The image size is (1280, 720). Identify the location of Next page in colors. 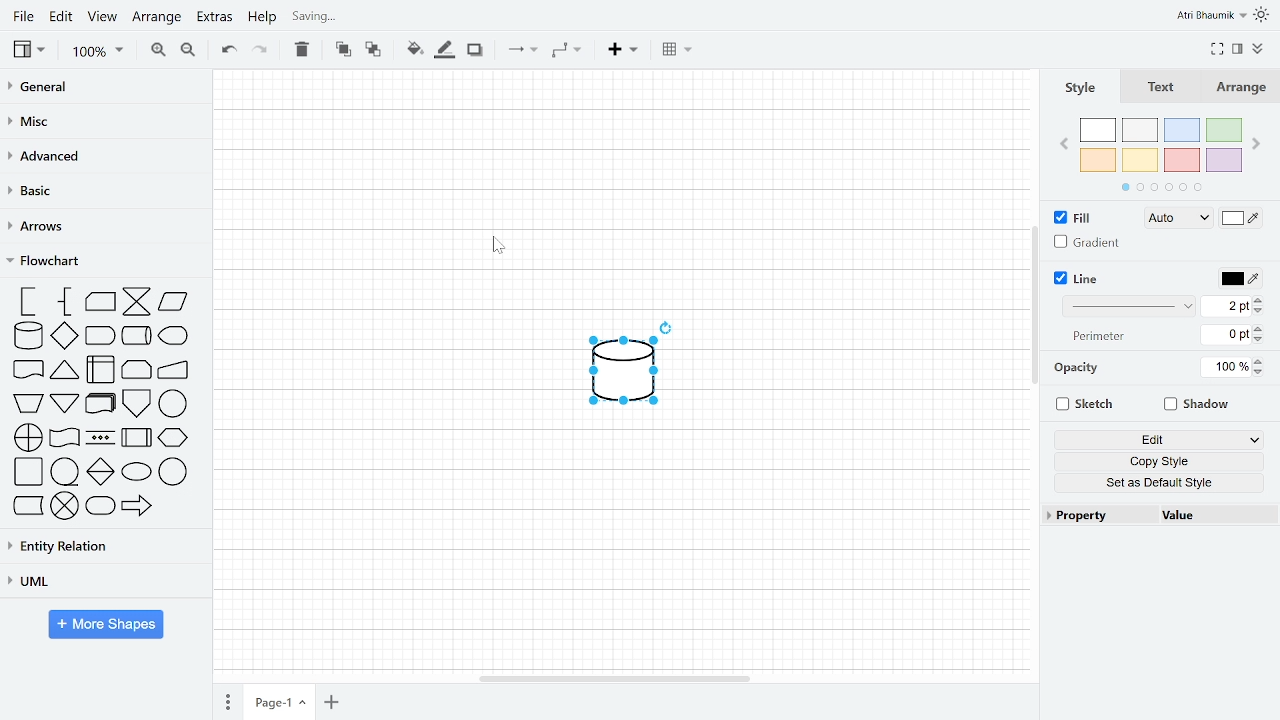
(1261, 141).